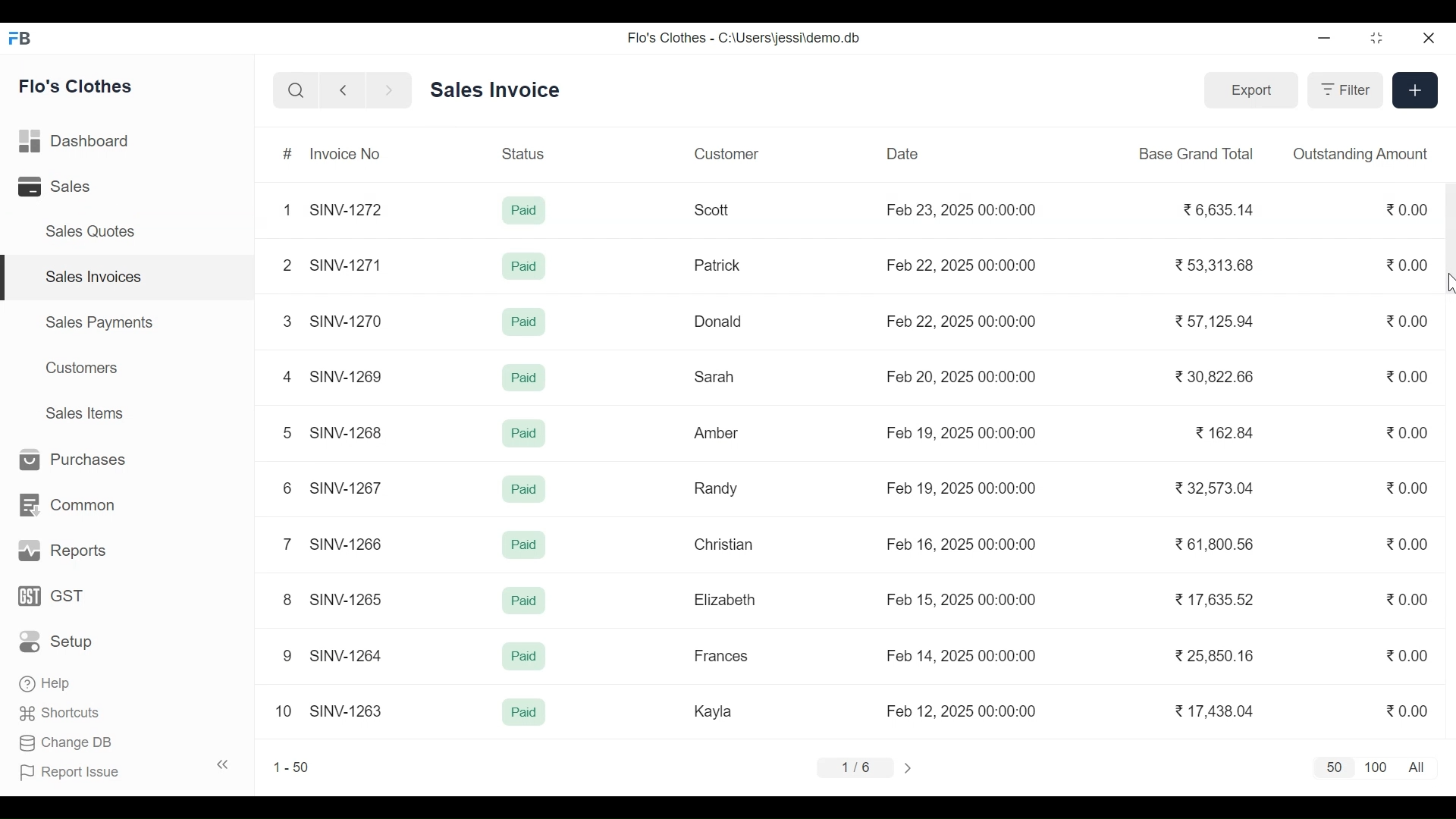 The width and height of the screenshot is (1456, 819). What do you see at coordinates (724, 600) in the screenshot?
I see `Elizabeth` at bounding box center [724, 600].